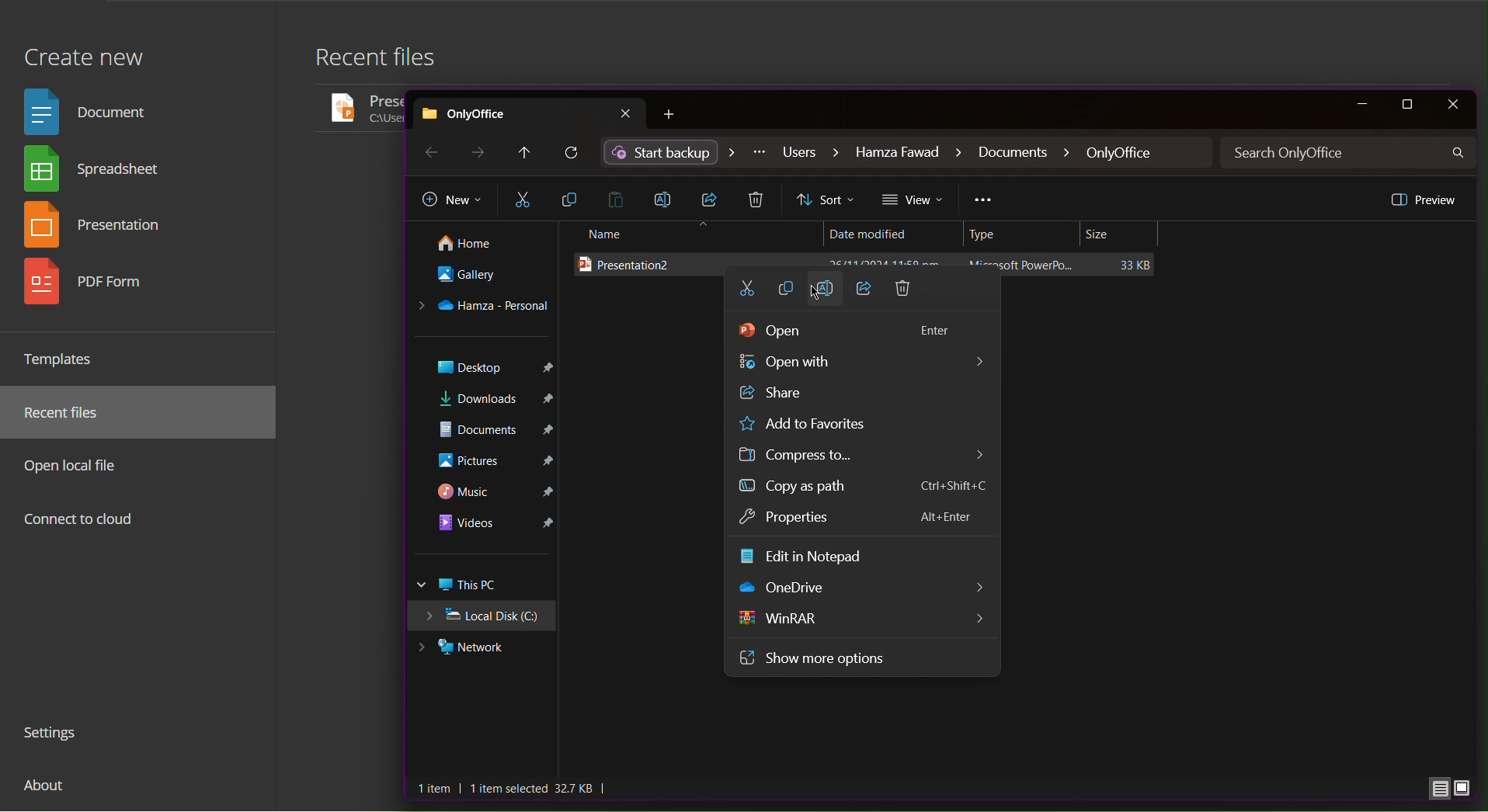 The height and width of the screenshot is (812, 1488). What do you see at coordinates (811, 557) in the screenshot?
I see `Edit` at bounding box center [811, 557].